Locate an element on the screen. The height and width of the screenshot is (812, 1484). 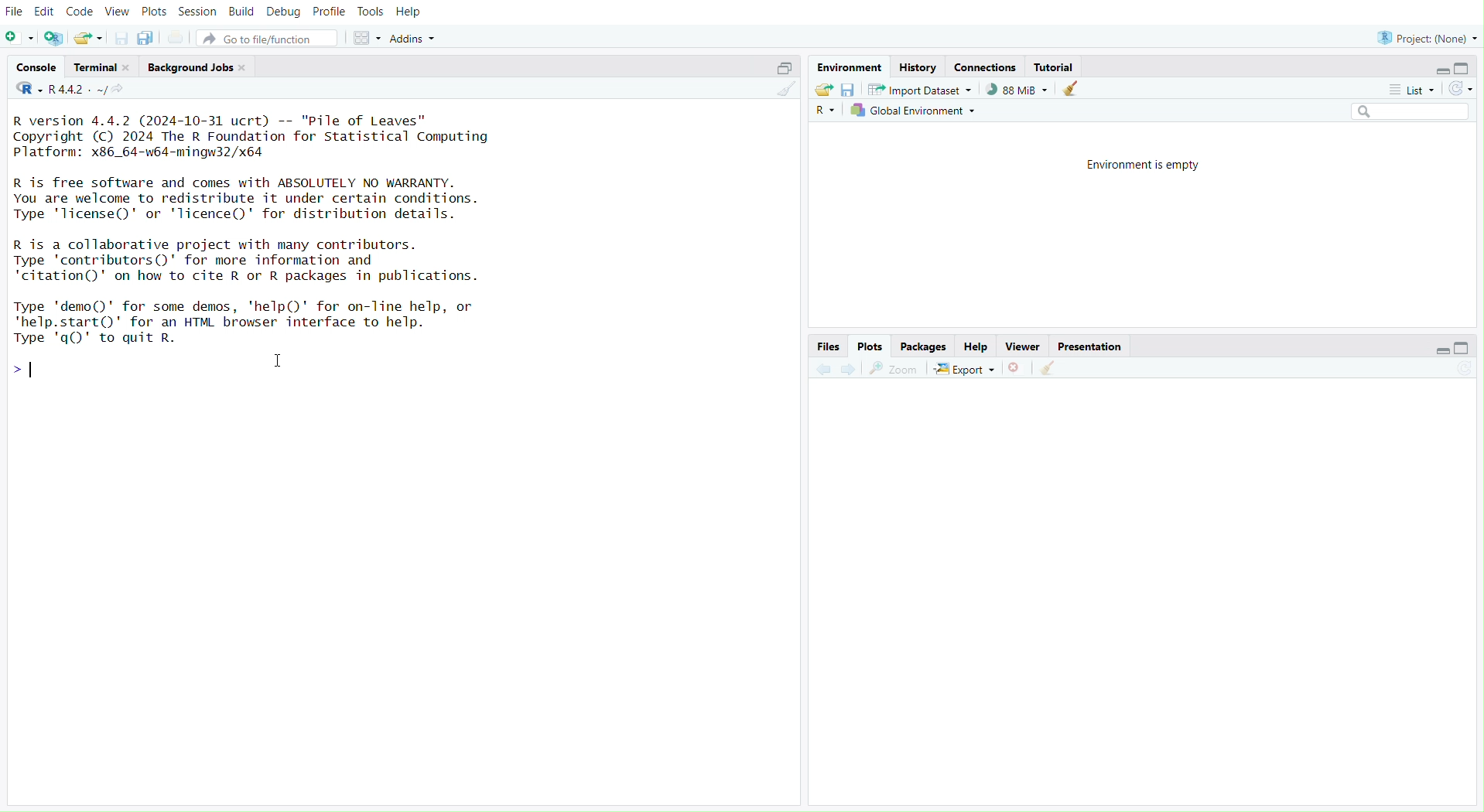
Plots is located at coordinates (870, 347).